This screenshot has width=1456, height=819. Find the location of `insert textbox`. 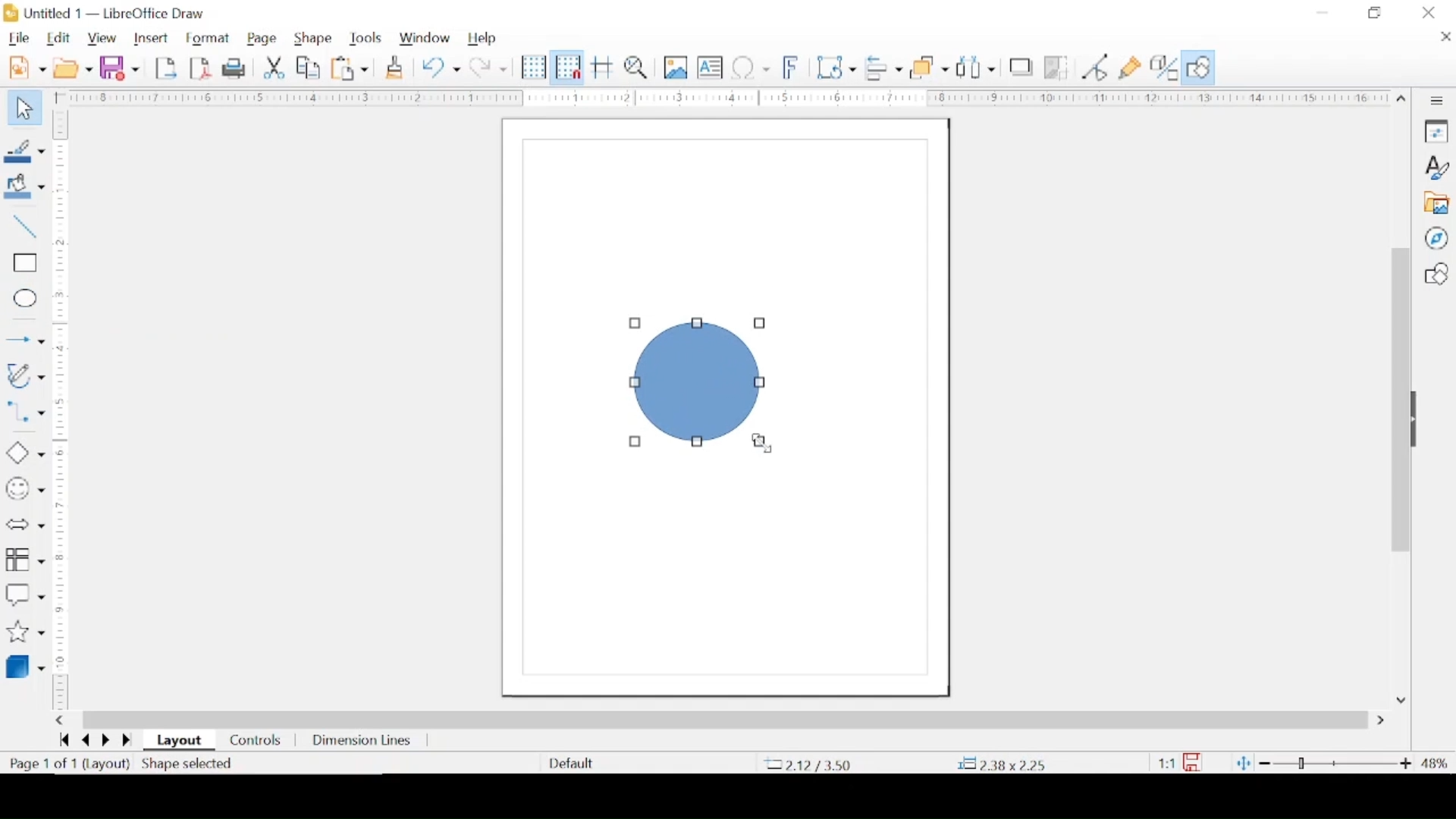

insert textbox is located at coordinates (711, 68).